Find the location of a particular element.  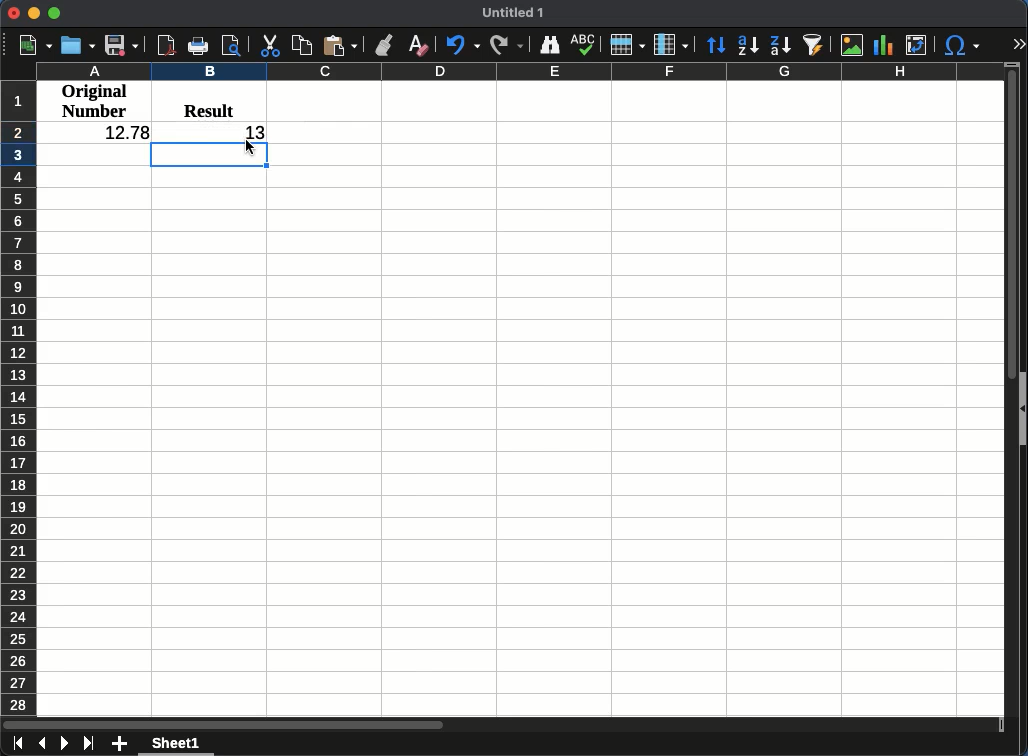

expand is located at coordinates (1018, 44).